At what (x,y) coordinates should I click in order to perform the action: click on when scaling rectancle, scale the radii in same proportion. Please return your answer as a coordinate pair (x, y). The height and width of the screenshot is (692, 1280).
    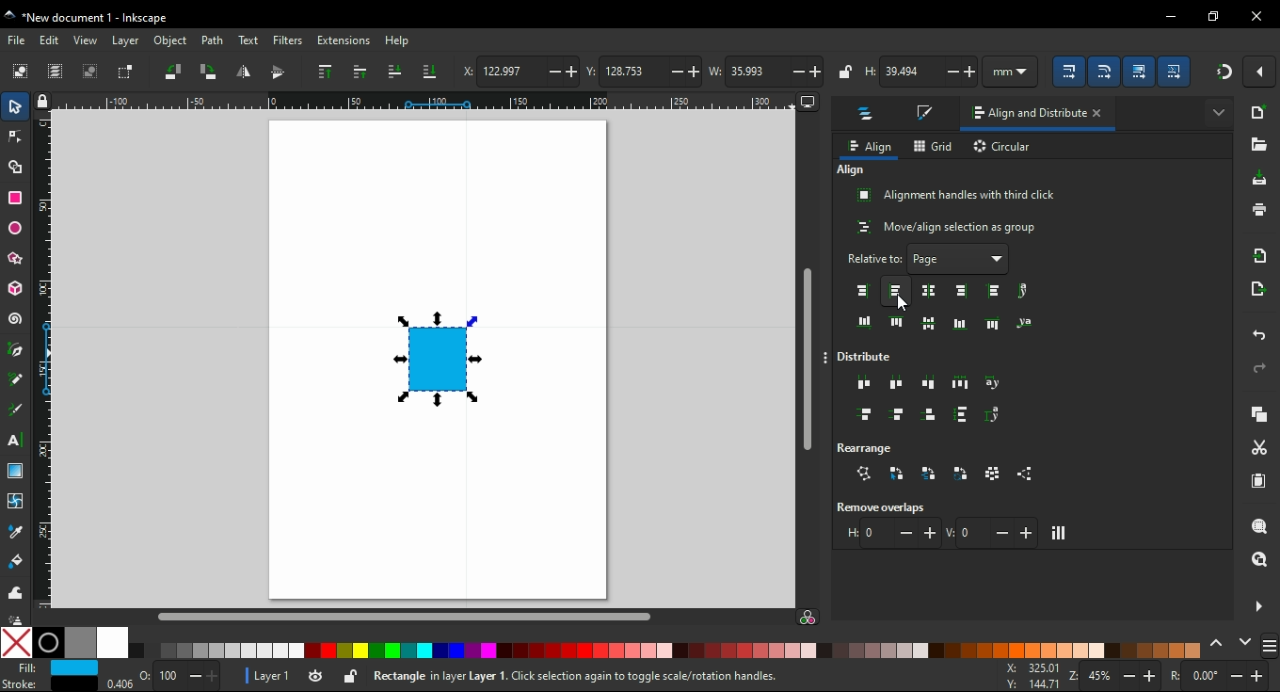
    Looking at the image, I should click on (1103, 73).